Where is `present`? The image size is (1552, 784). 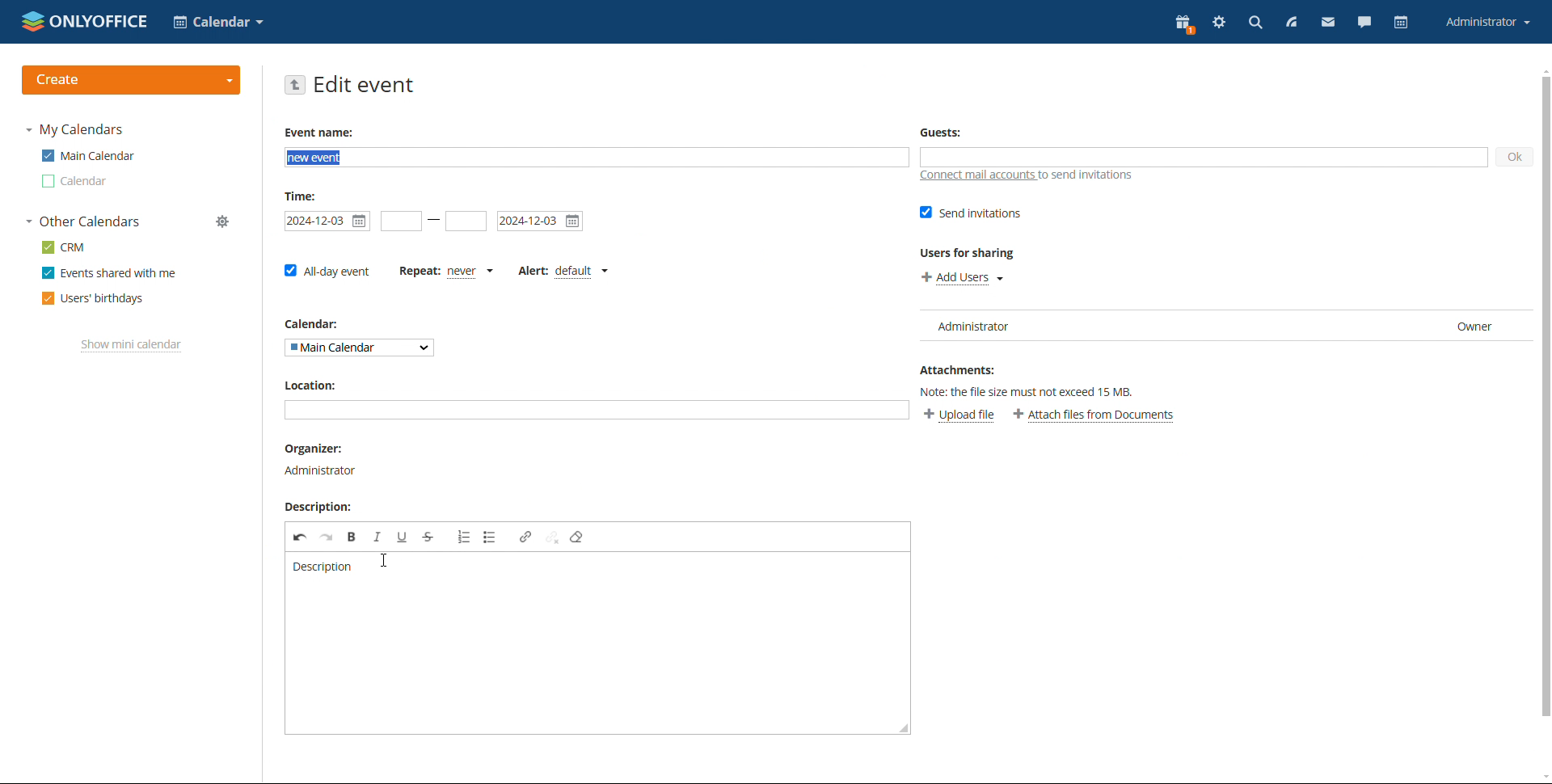
present is located at coordinates (1185, 24).